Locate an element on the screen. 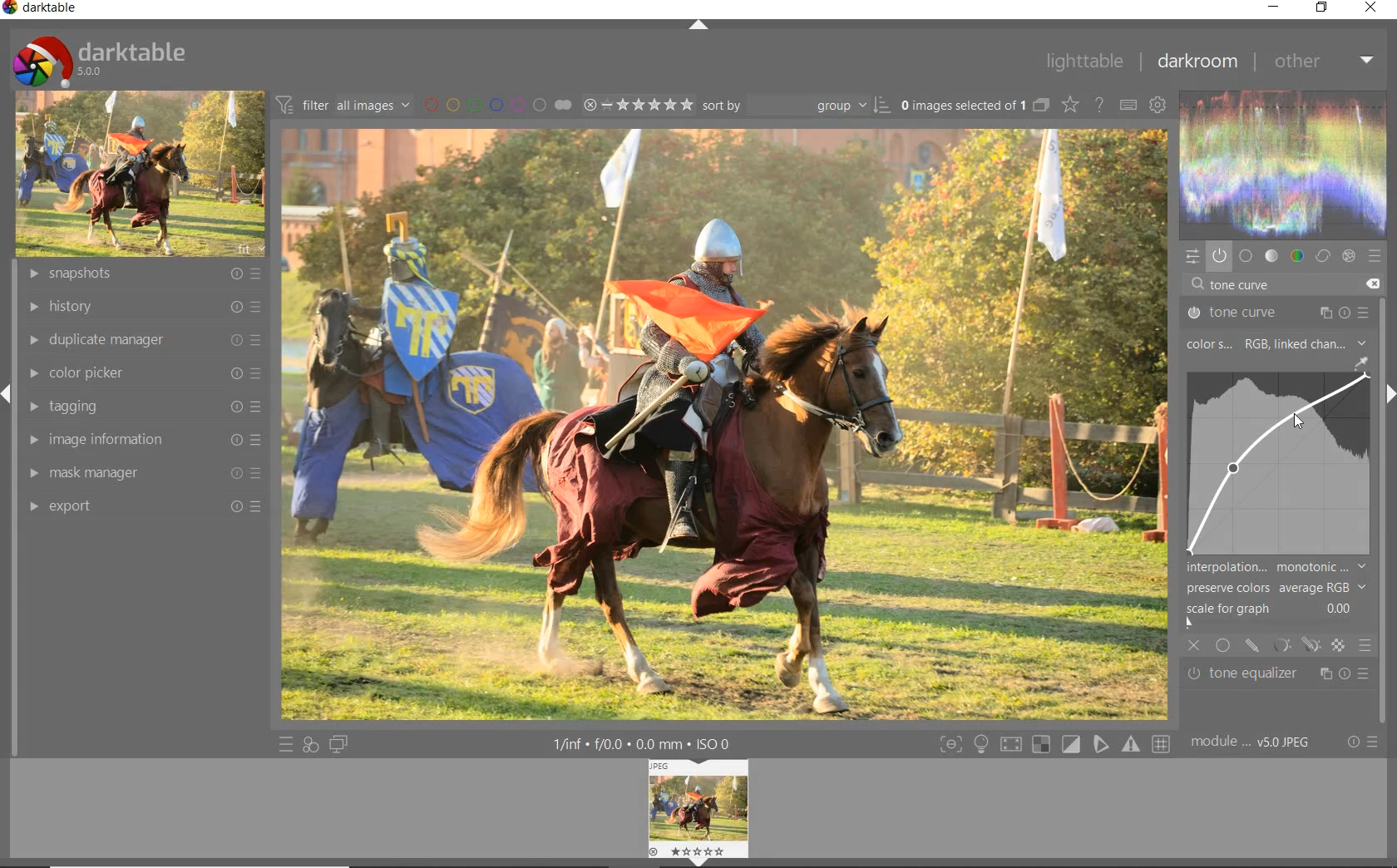 Image resolution: width=1397 pixels, height=868 pixels. color space is located at coordinates (1275, 345).